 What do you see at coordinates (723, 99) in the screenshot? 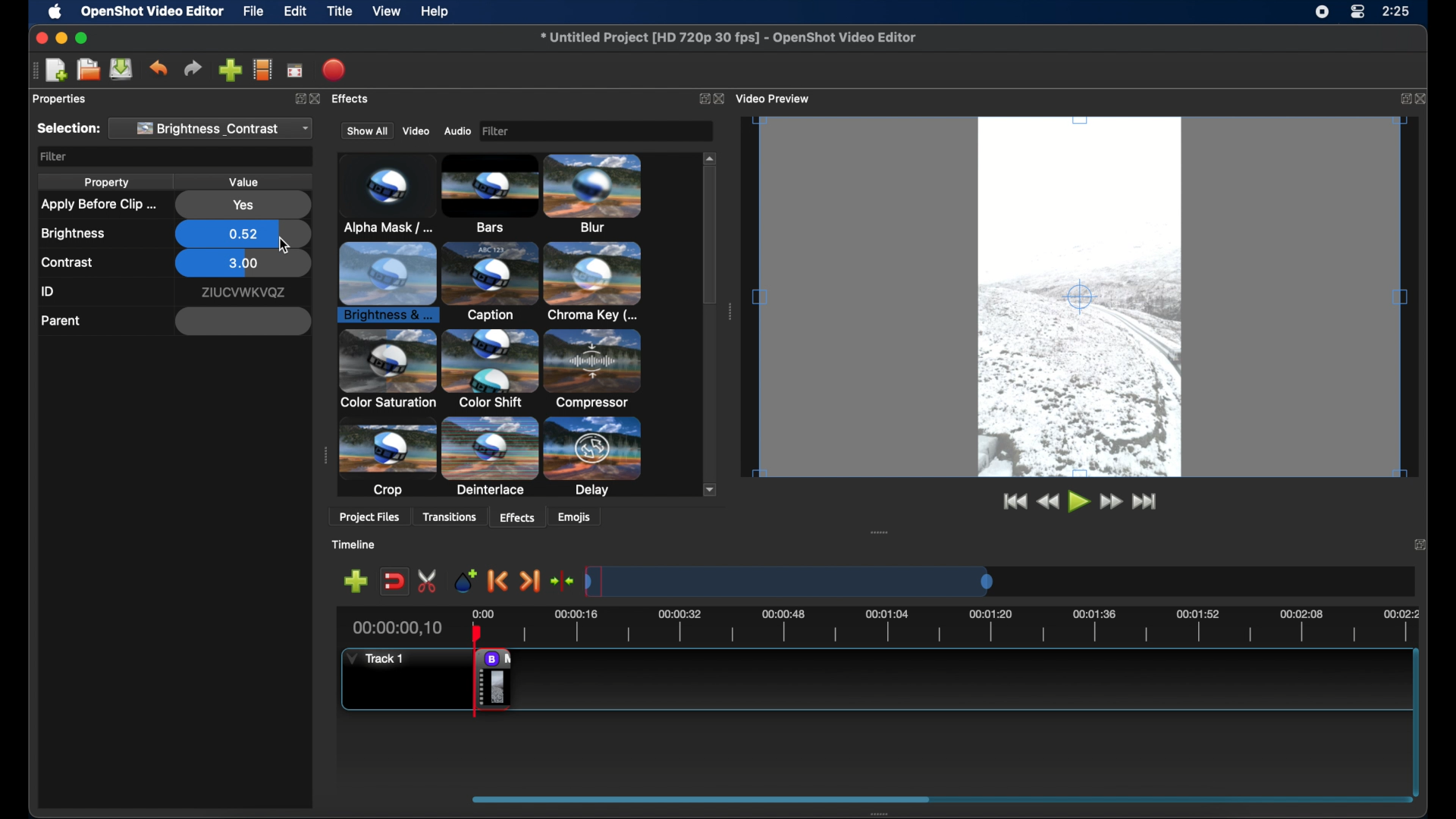
I see `close` at bounding box center [723, 99].